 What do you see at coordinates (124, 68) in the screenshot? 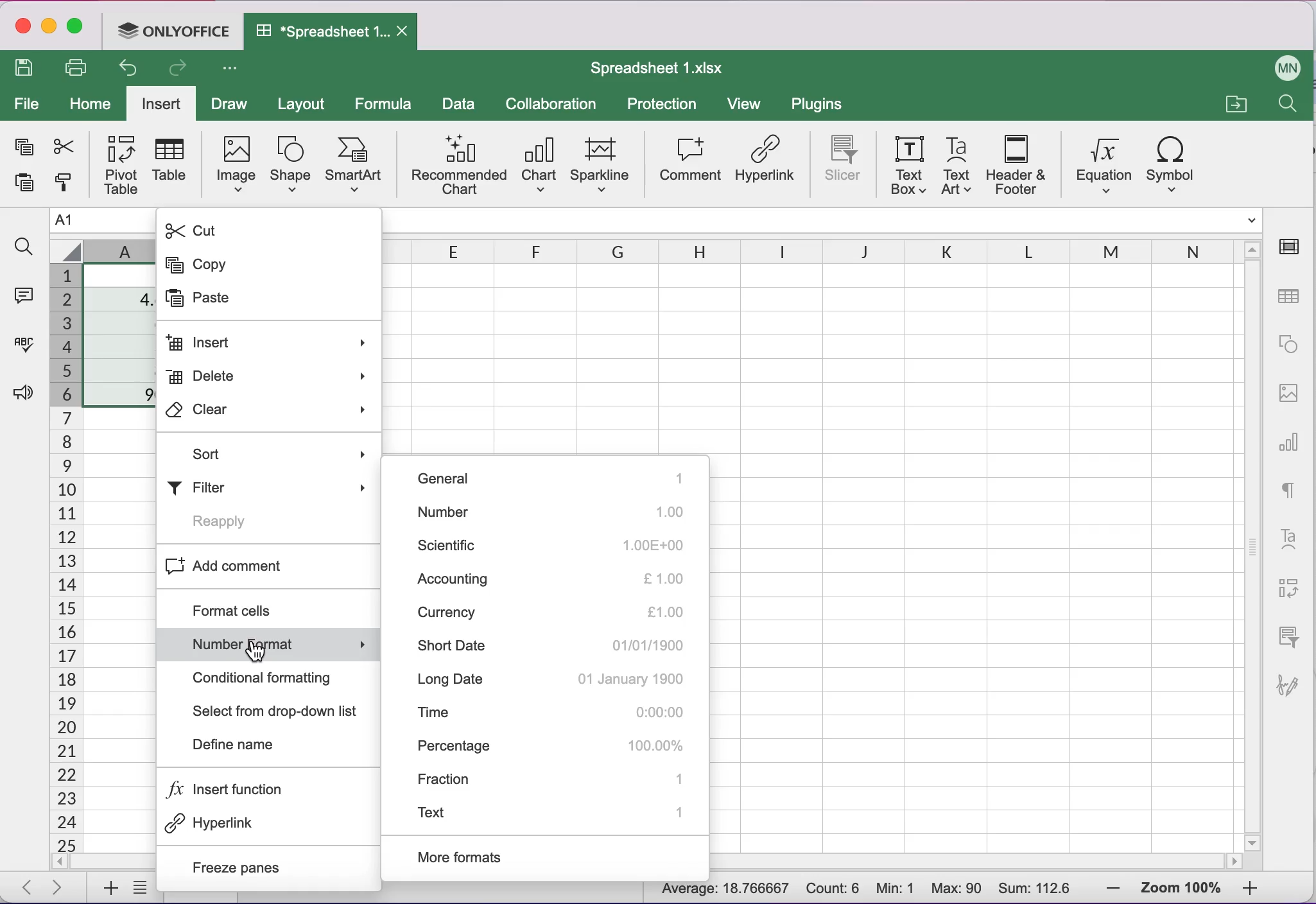
I see `undo` at bounding box center [124, 68].